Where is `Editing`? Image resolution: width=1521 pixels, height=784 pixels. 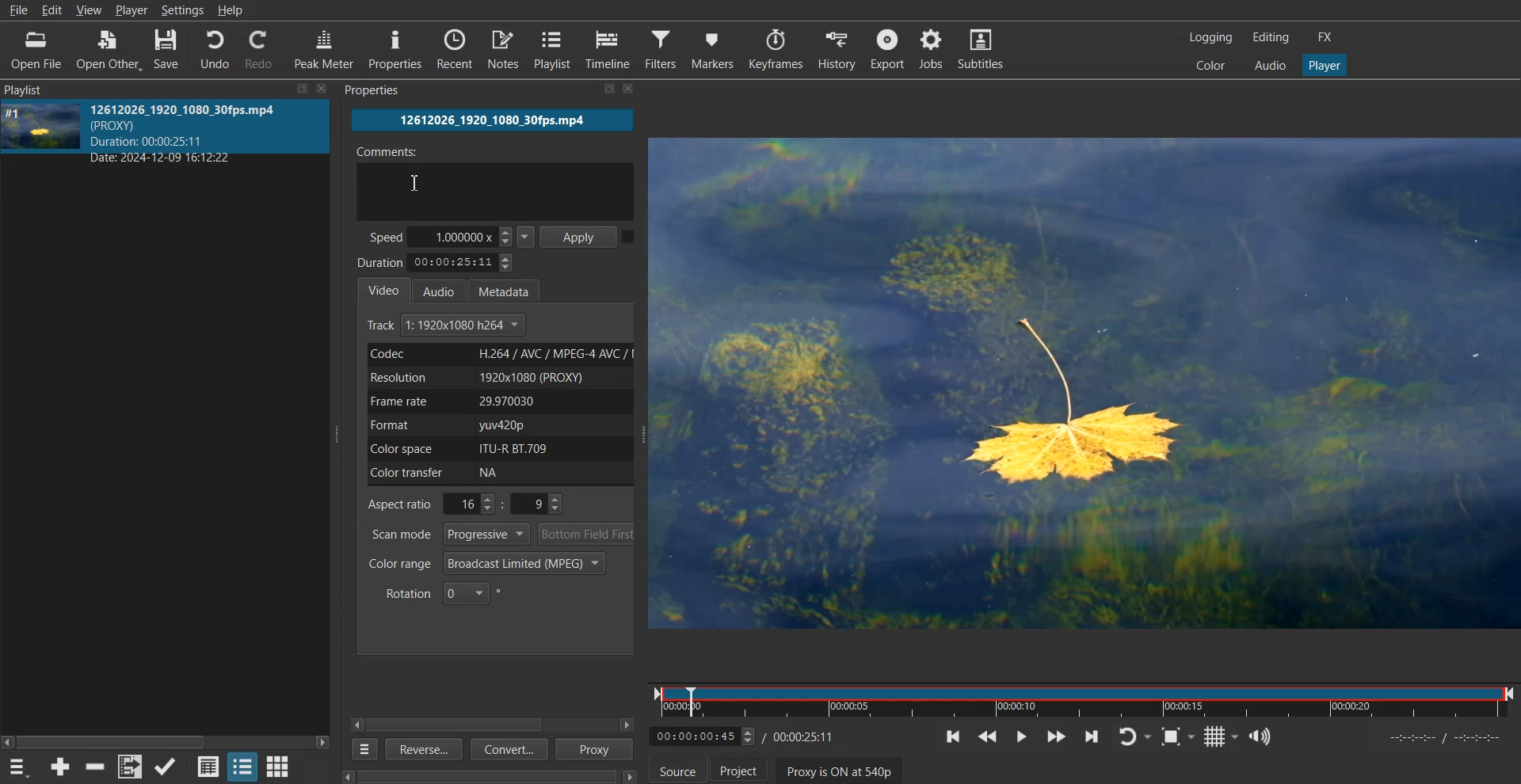
Editing is located at coordinates (1270, 38).